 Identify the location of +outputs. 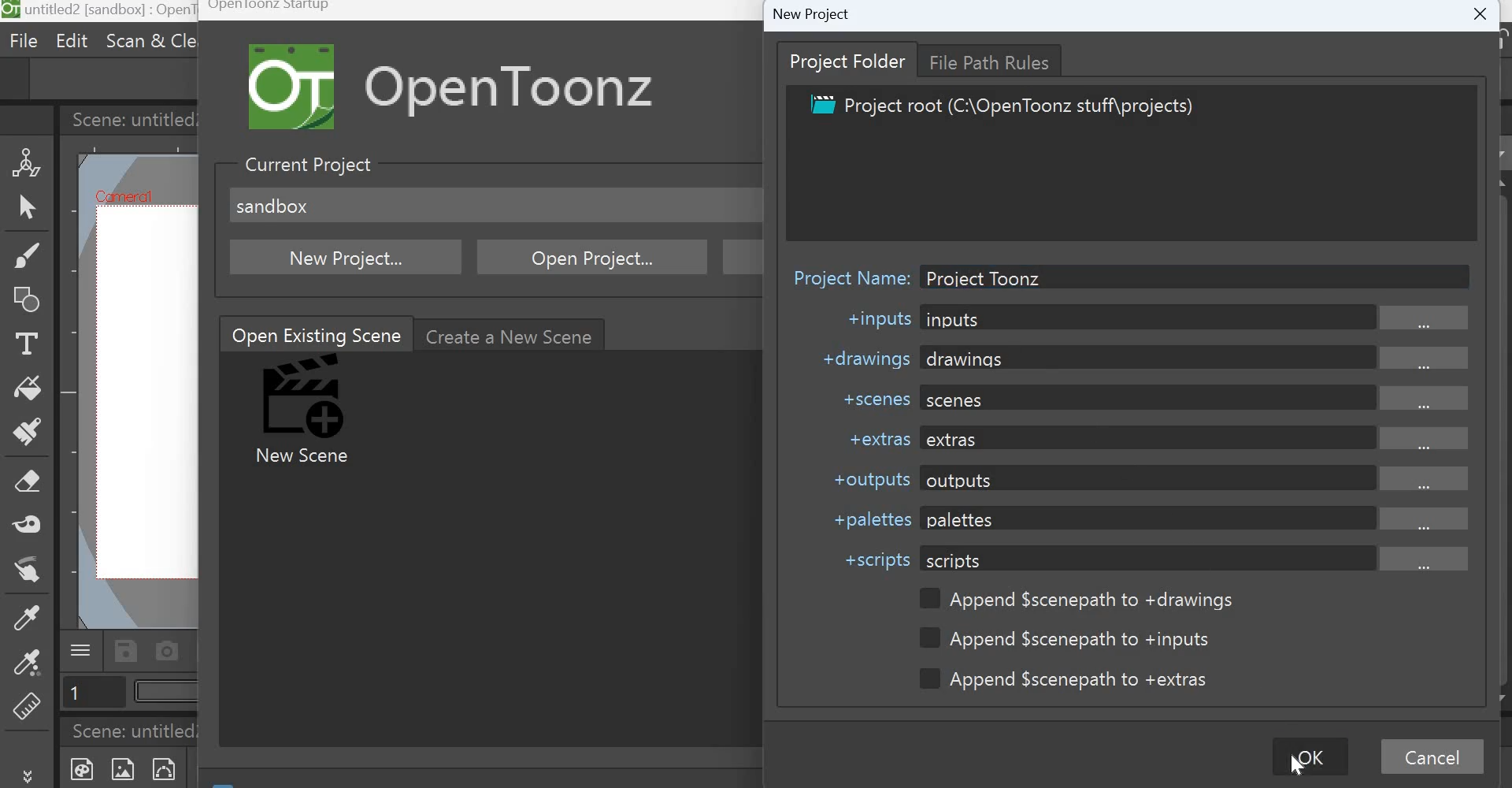
(865, 478).